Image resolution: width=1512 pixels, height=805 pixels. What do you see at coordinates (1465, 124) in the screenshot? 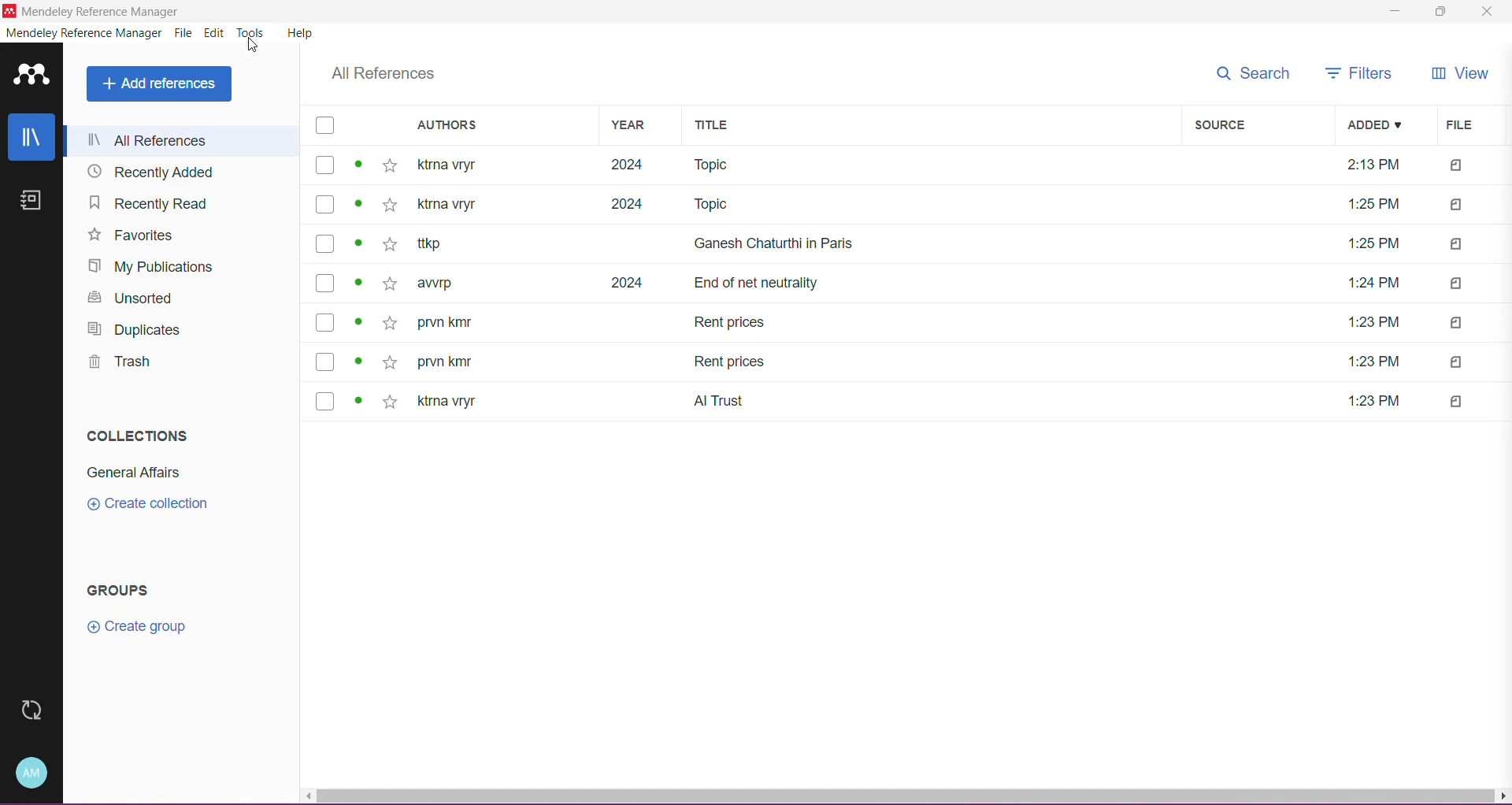
I see `File` at bounding box center [1465, 124].